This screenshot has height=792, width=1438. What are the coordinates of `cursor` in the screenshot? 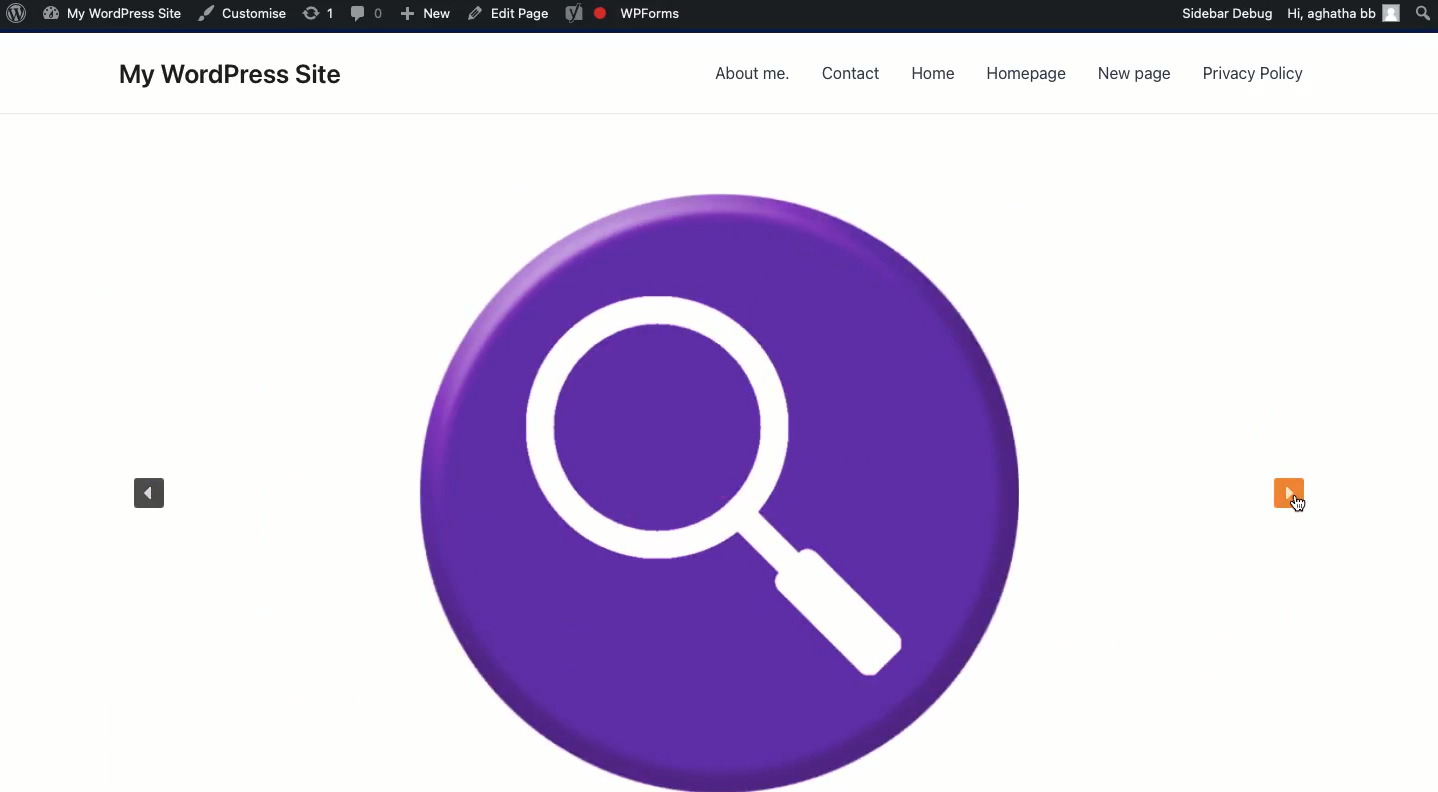 It's located at (1293, 517).